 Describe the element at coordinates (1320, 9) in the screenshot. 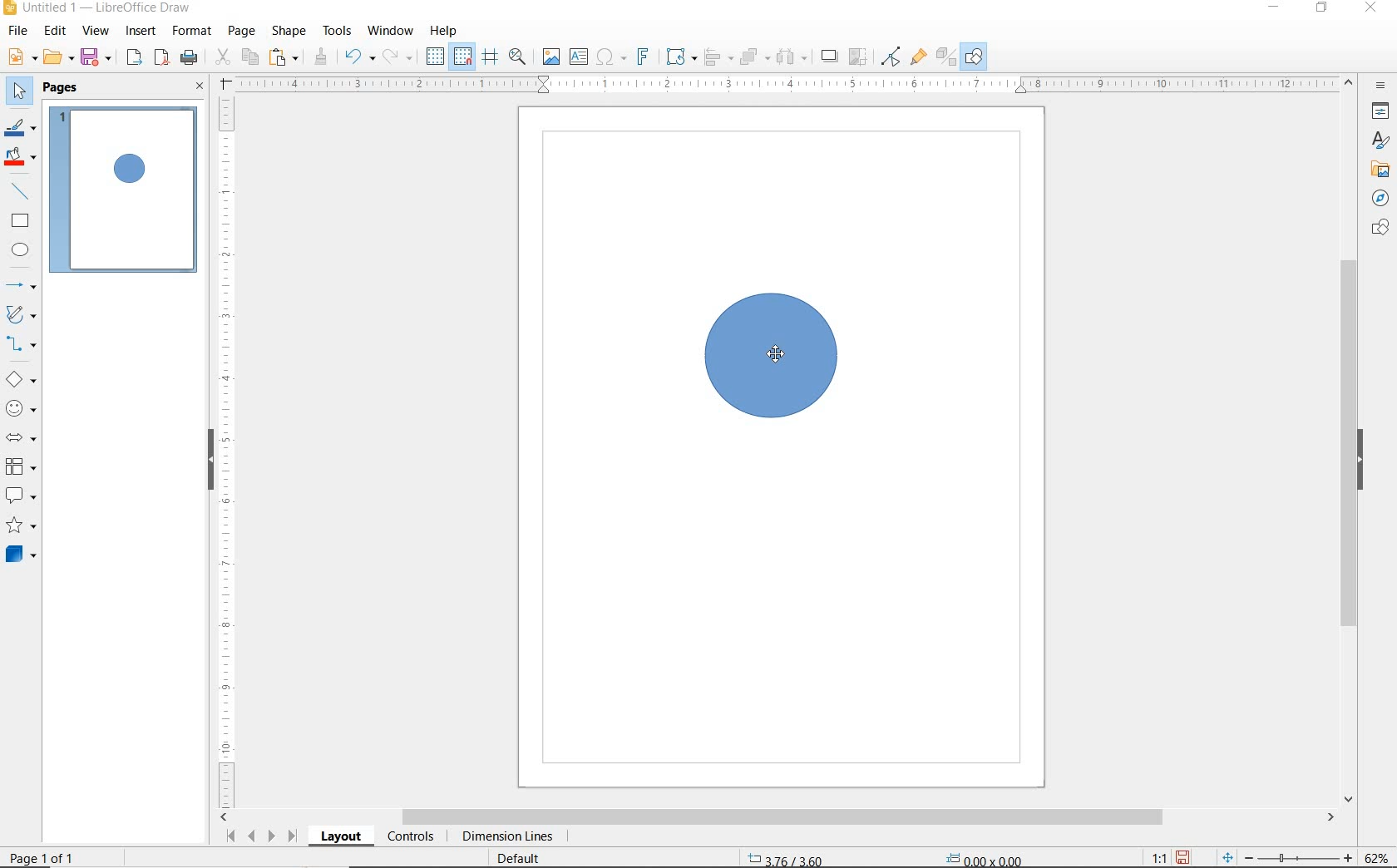

I see `RESTORE DOWN` at that location.